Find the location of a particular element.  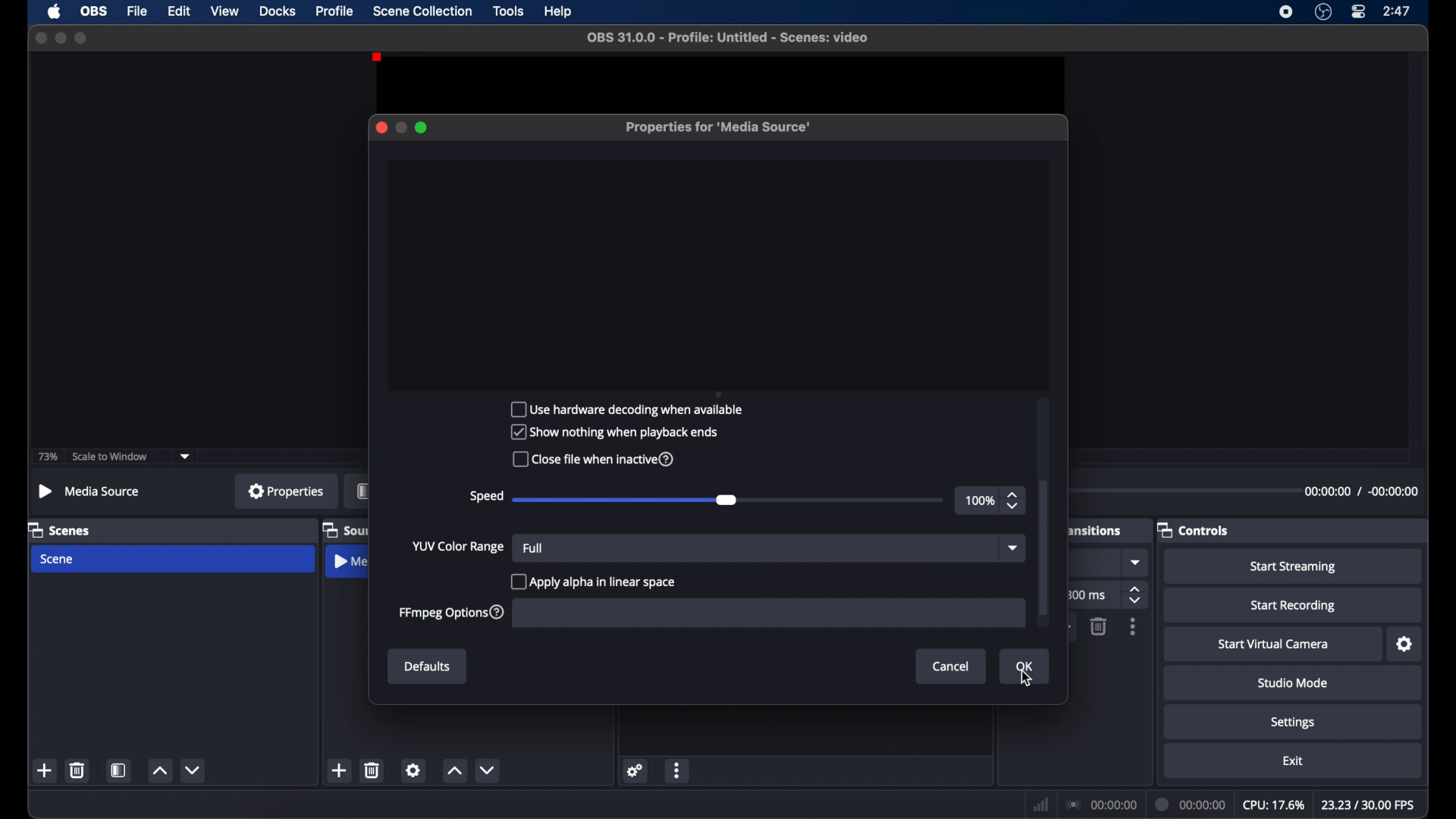

maximize is located at coordinates (82, 39).